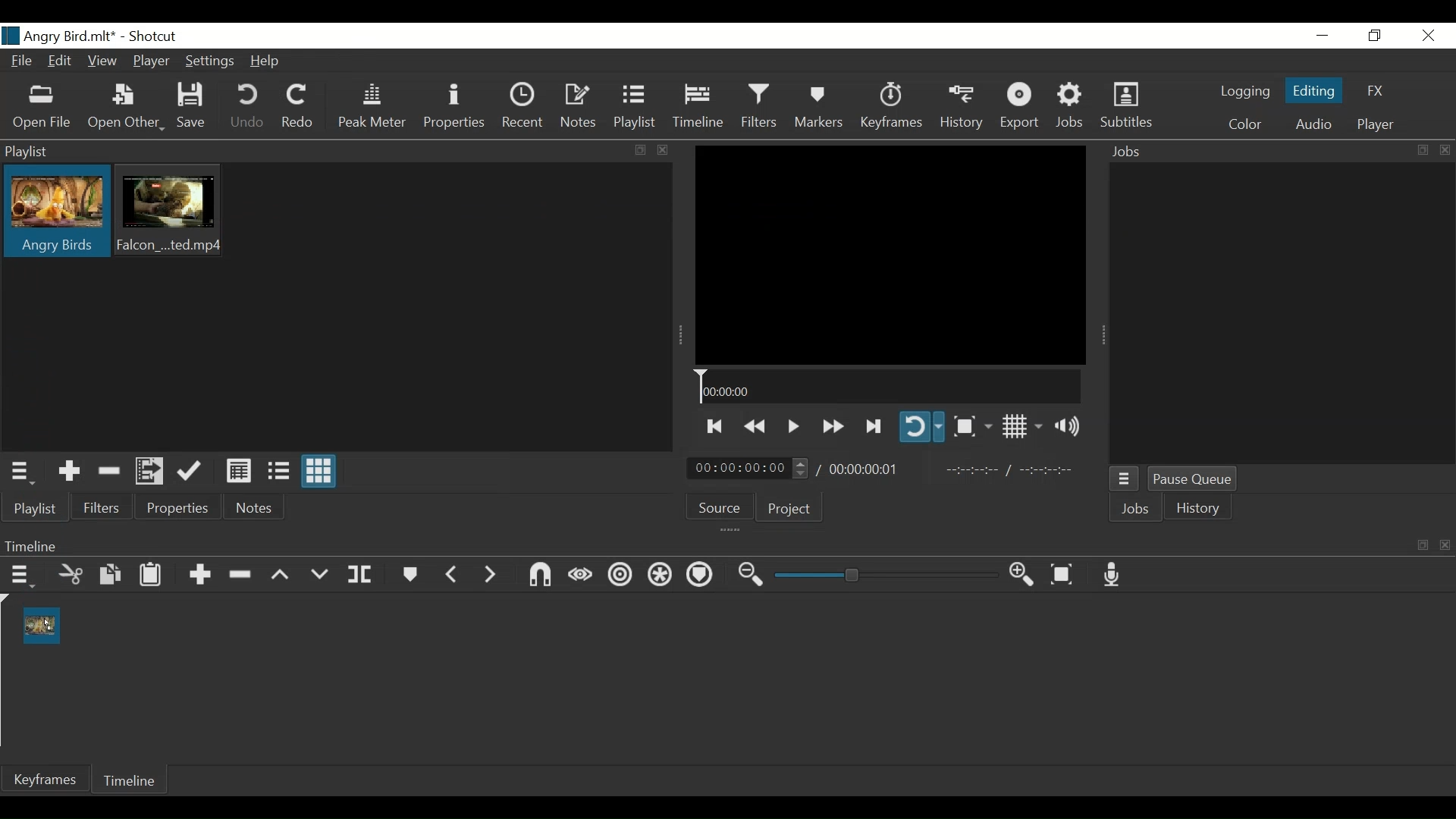  What do you see at coordinates (151, 472) in the screenshot?
I see `Add files to the playlist` at bounding box center [151, 472].